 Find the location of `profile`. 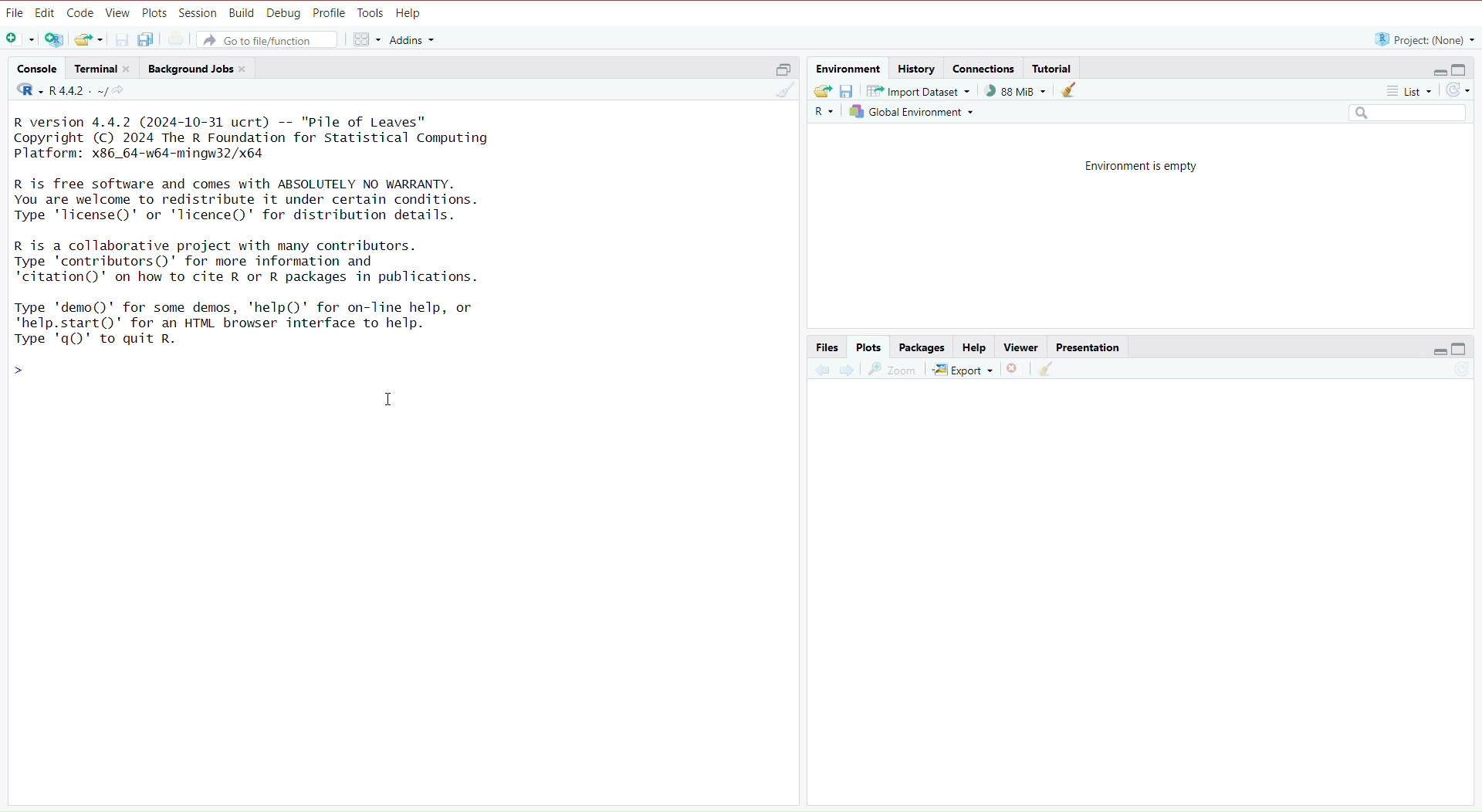

profile is located at coordinates (330, 13).